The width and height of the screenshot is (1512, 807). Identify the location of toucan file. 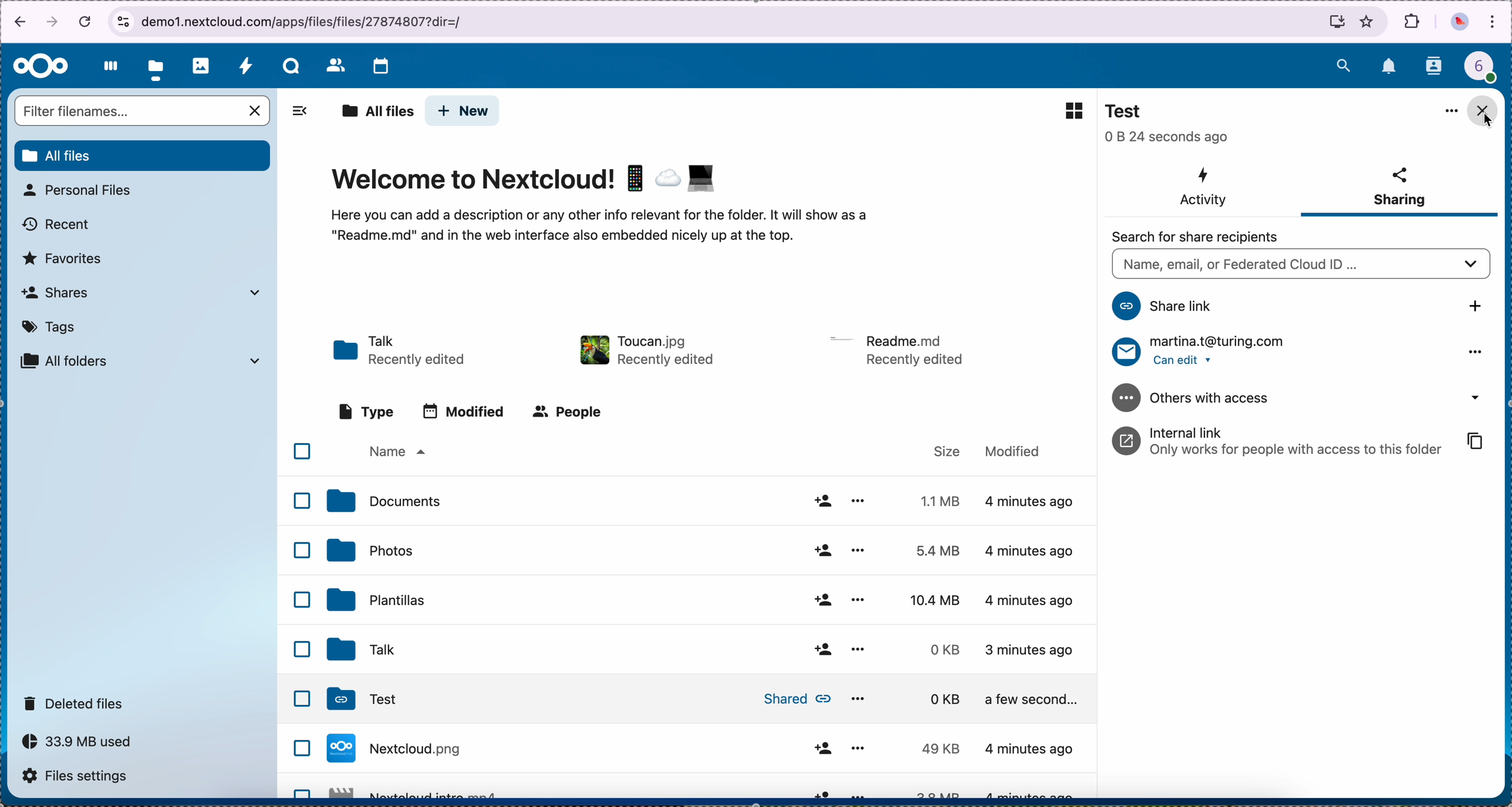
(645, 347).